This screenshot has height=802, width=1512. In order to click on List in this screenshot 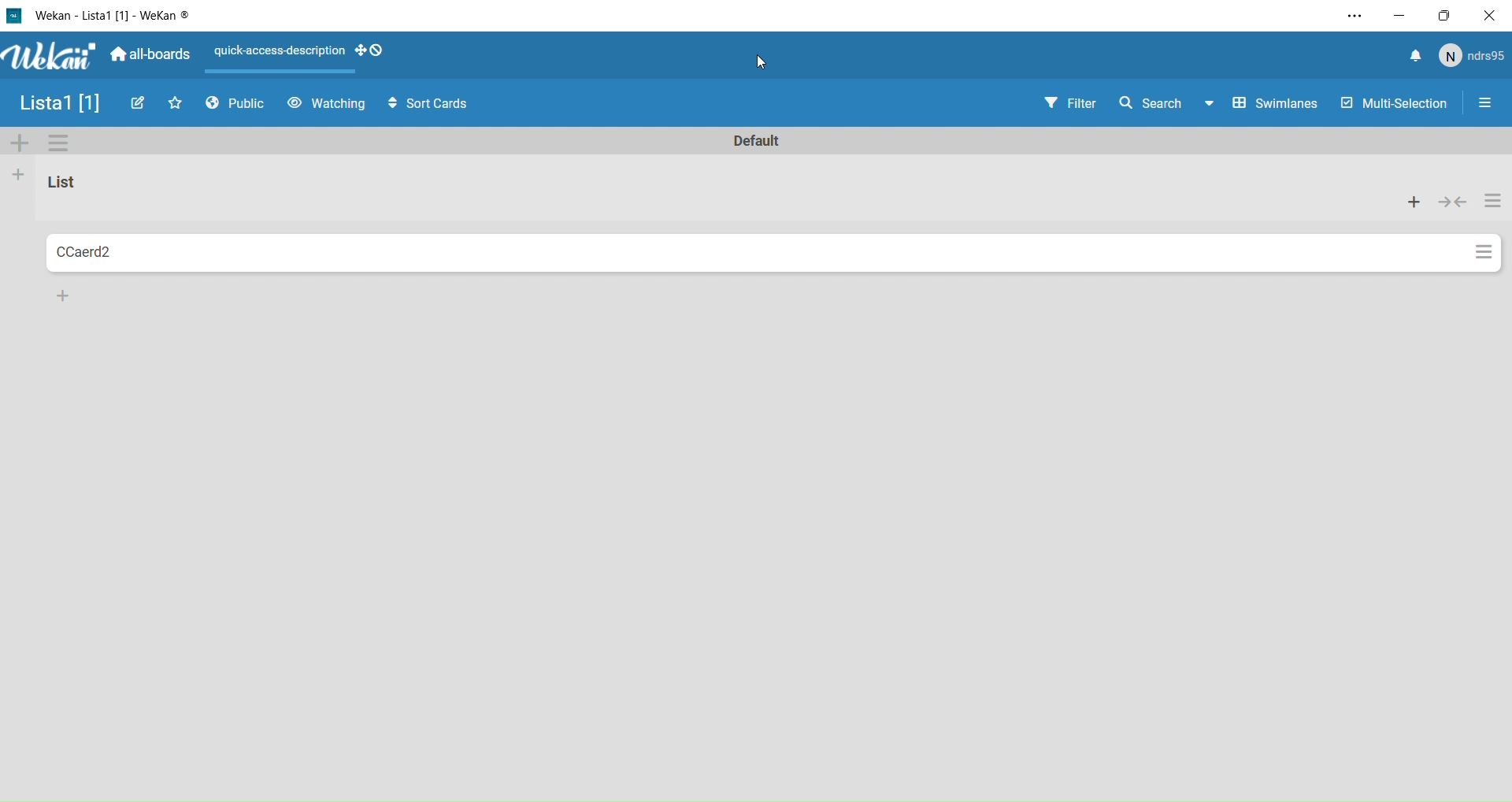, I will do `click(57, 106)`.